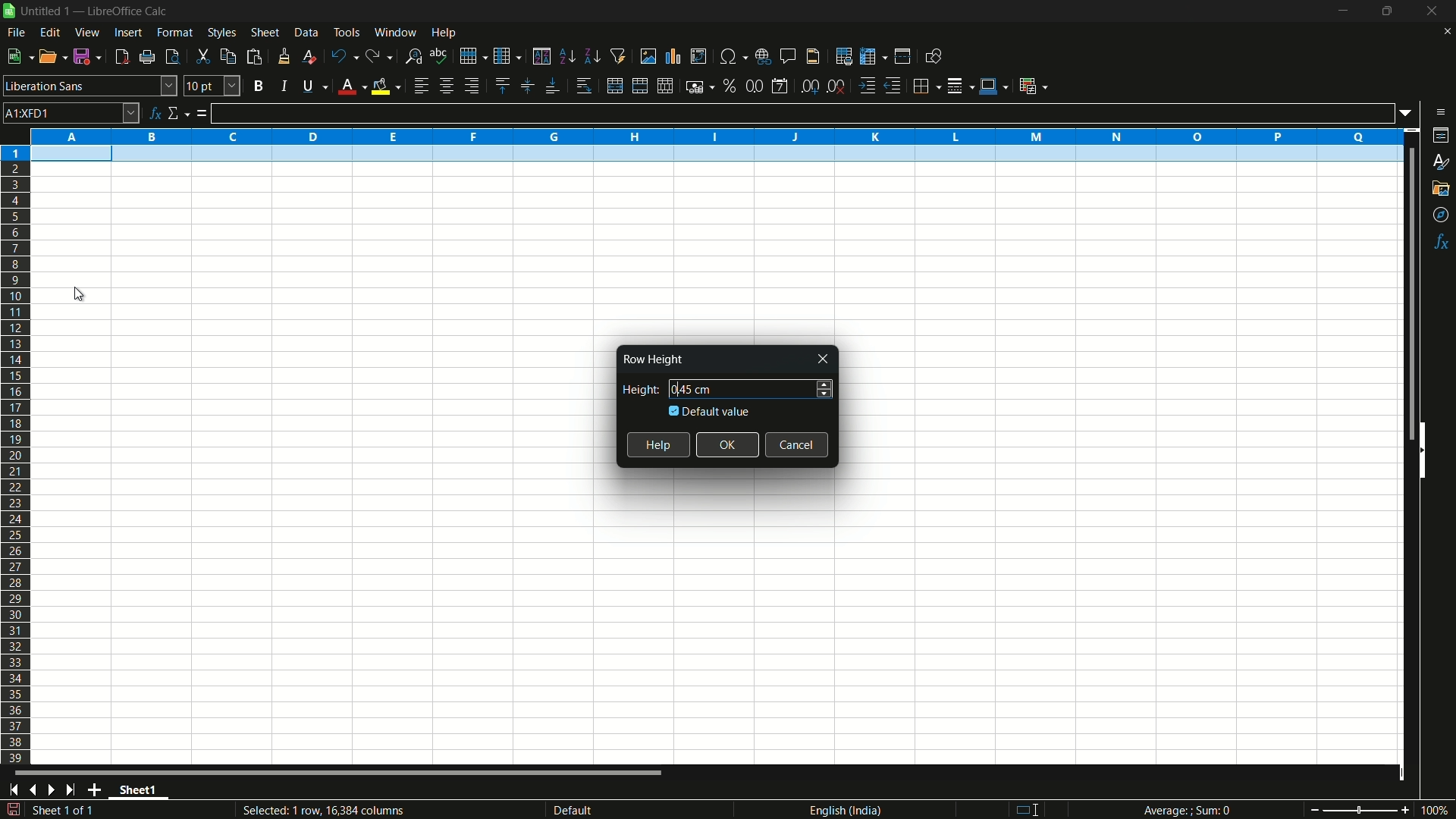 The image size is (1456, 819). Describe the element at coordinates (501, 86) in the screenshot. I see `align top` at that location.